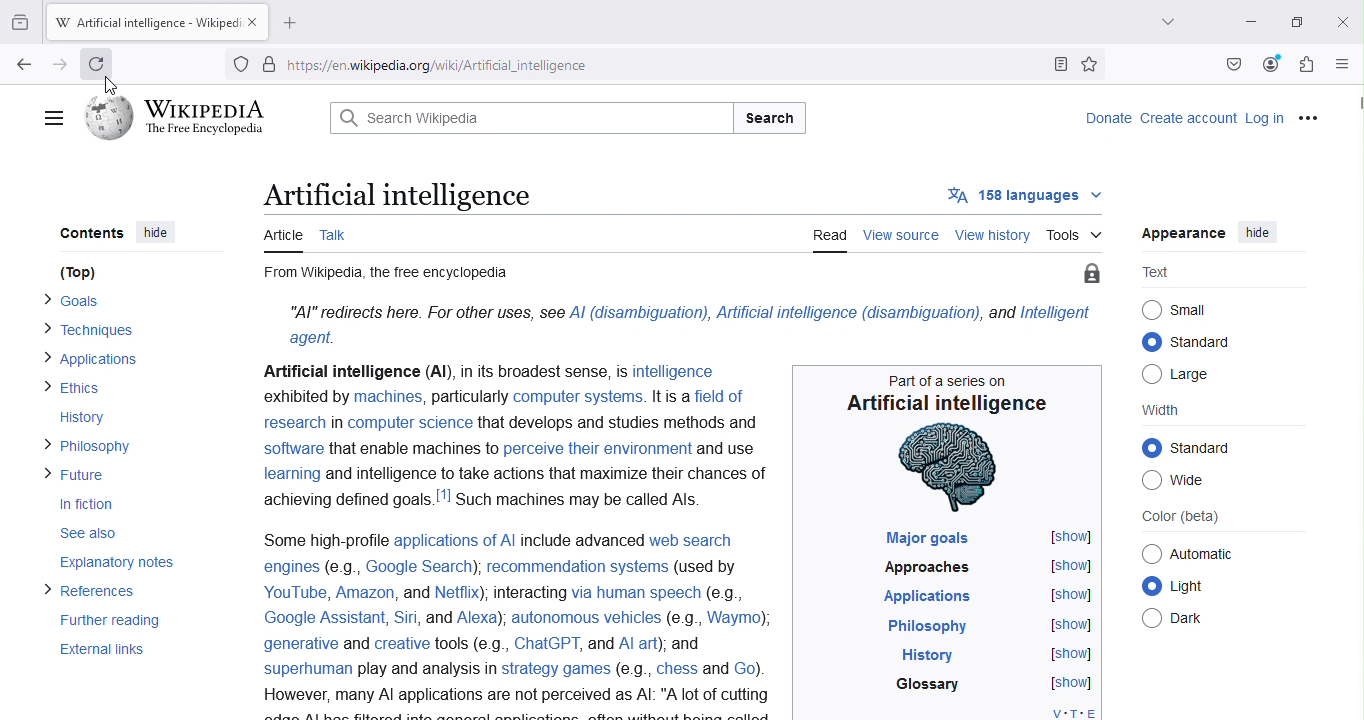 This screenshot has width=1364, height=720. Describe the element at coordinates (402, 646) in the screenshot. I see `Creative` at that location.